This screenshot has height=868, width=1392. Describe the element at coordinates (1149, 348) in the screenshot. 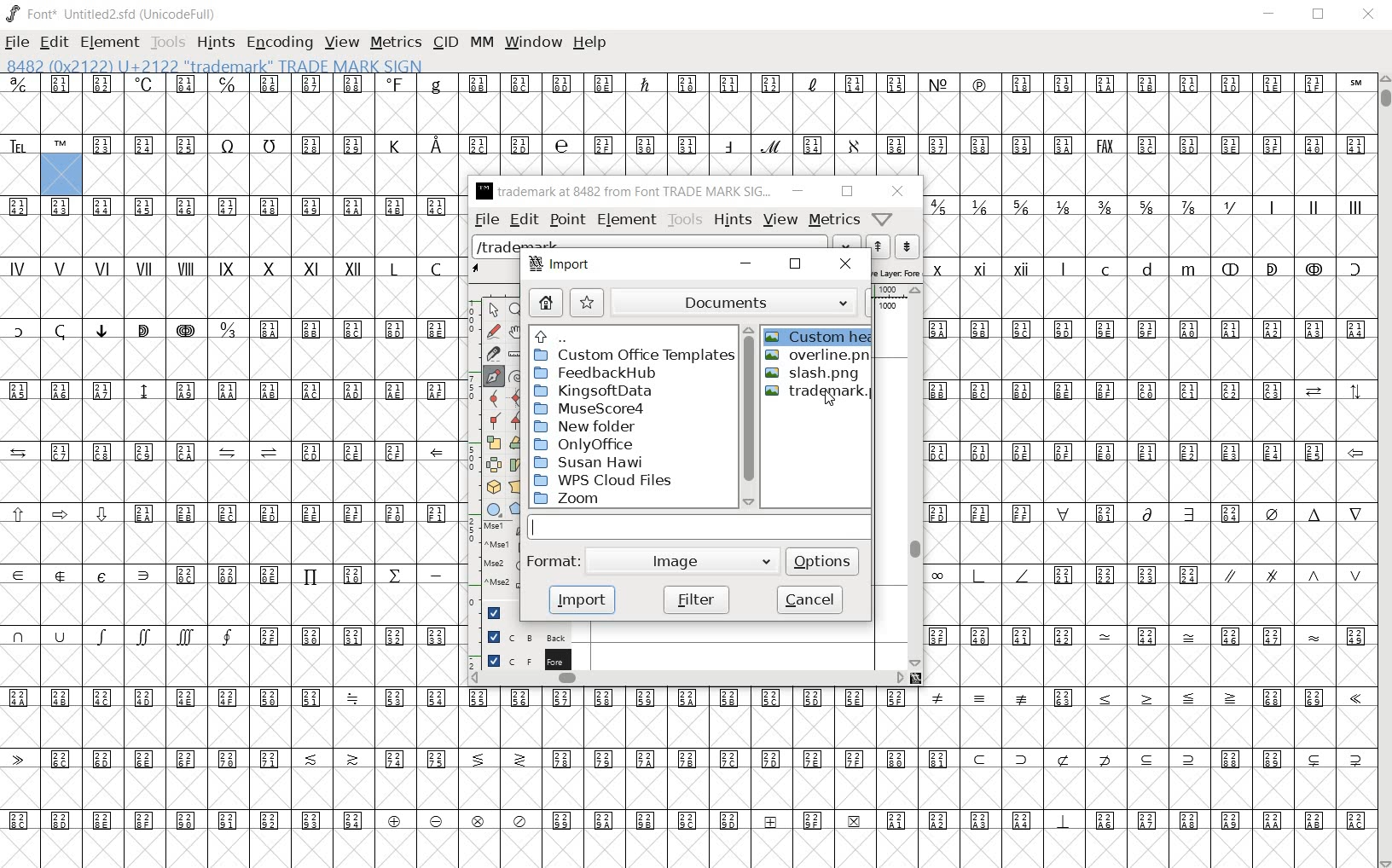

I see `symbols` at that location.